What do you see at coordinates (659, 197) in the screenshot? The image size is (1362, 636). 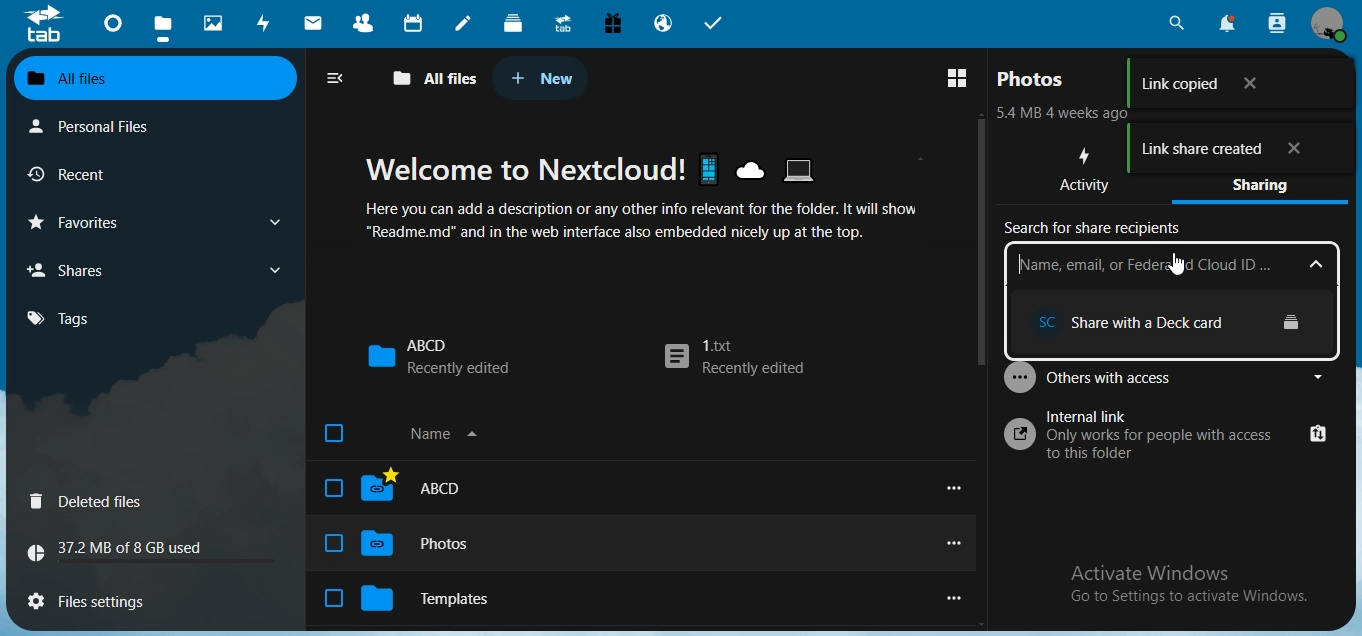 I see `text` at bounding box center [659, 197].